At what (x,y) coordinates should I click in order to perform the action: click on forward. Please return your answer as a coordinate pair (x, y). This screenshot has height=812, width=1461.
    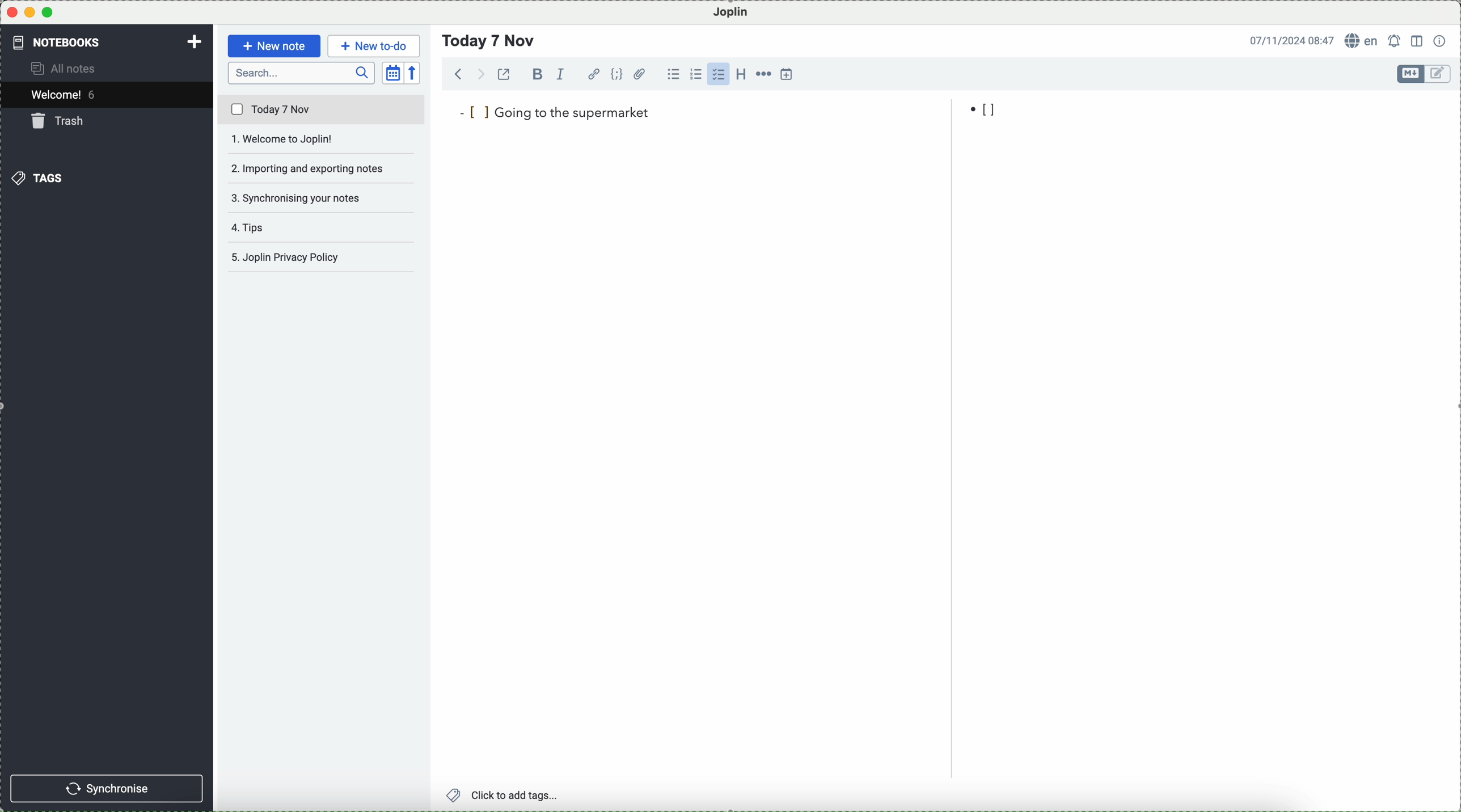
    Looking at the image, I should click on (479, 74).